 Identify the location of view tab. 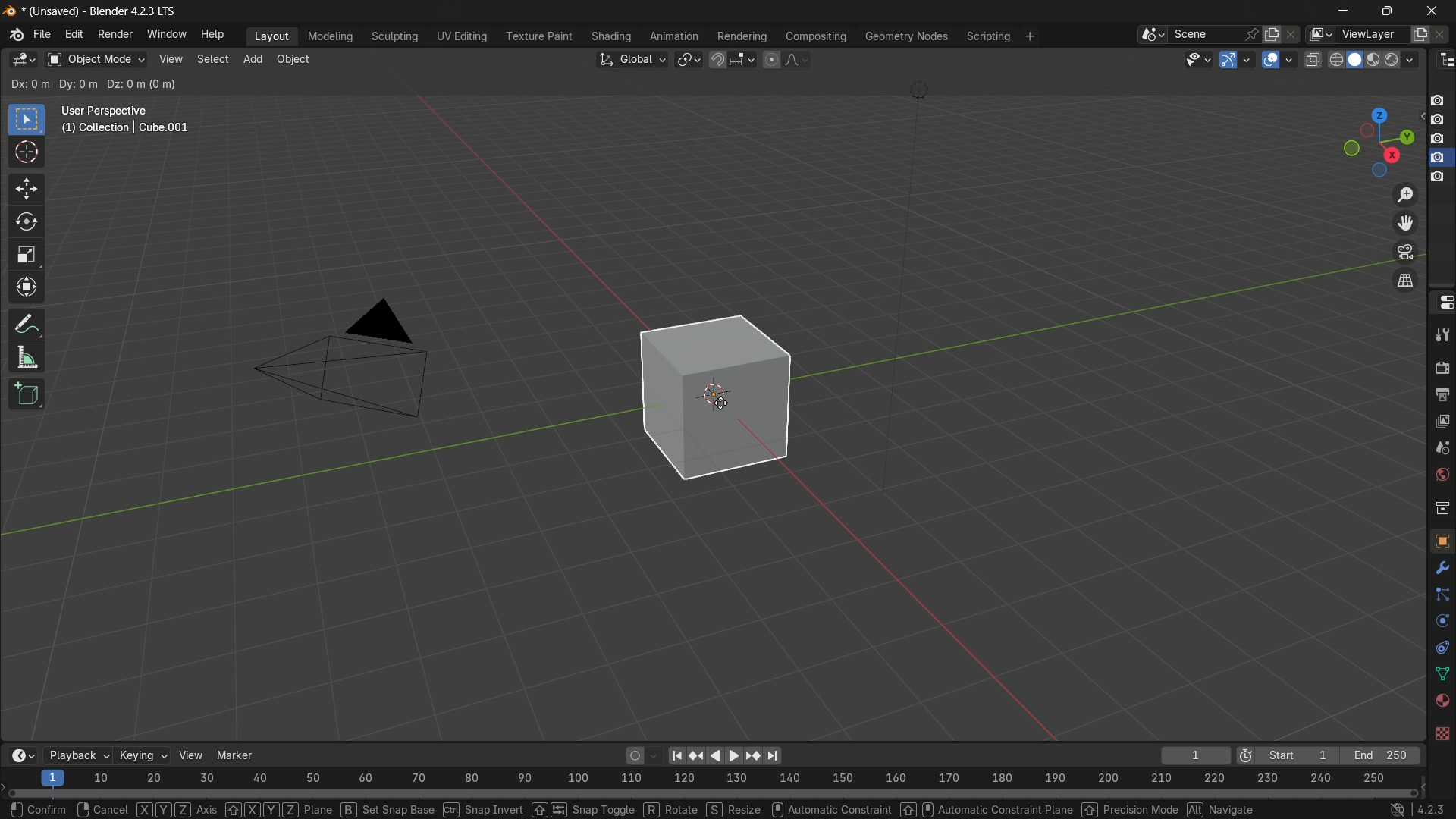
(169, 60).